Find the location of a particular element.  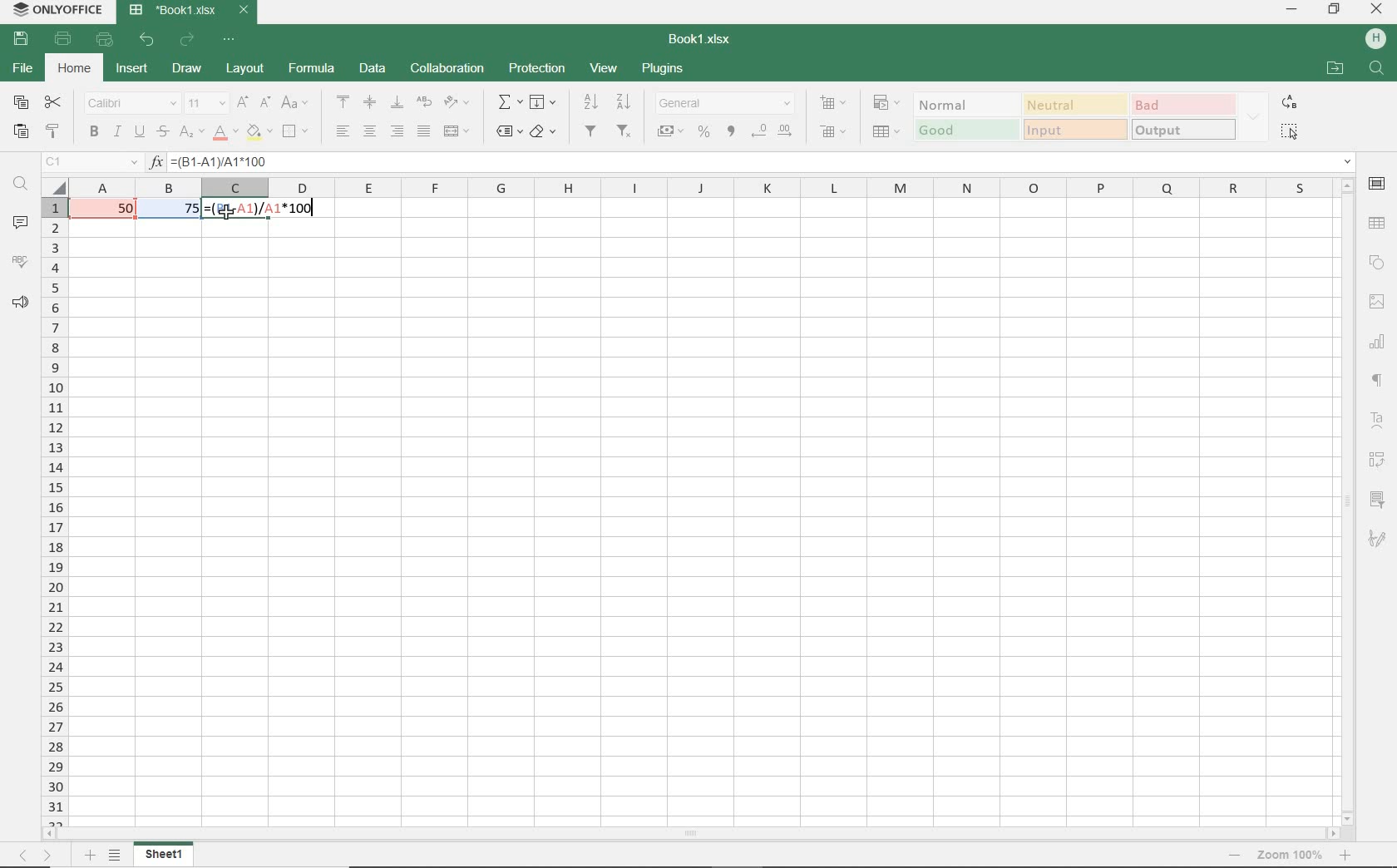

merge & center is located at coordinates (457, 131).